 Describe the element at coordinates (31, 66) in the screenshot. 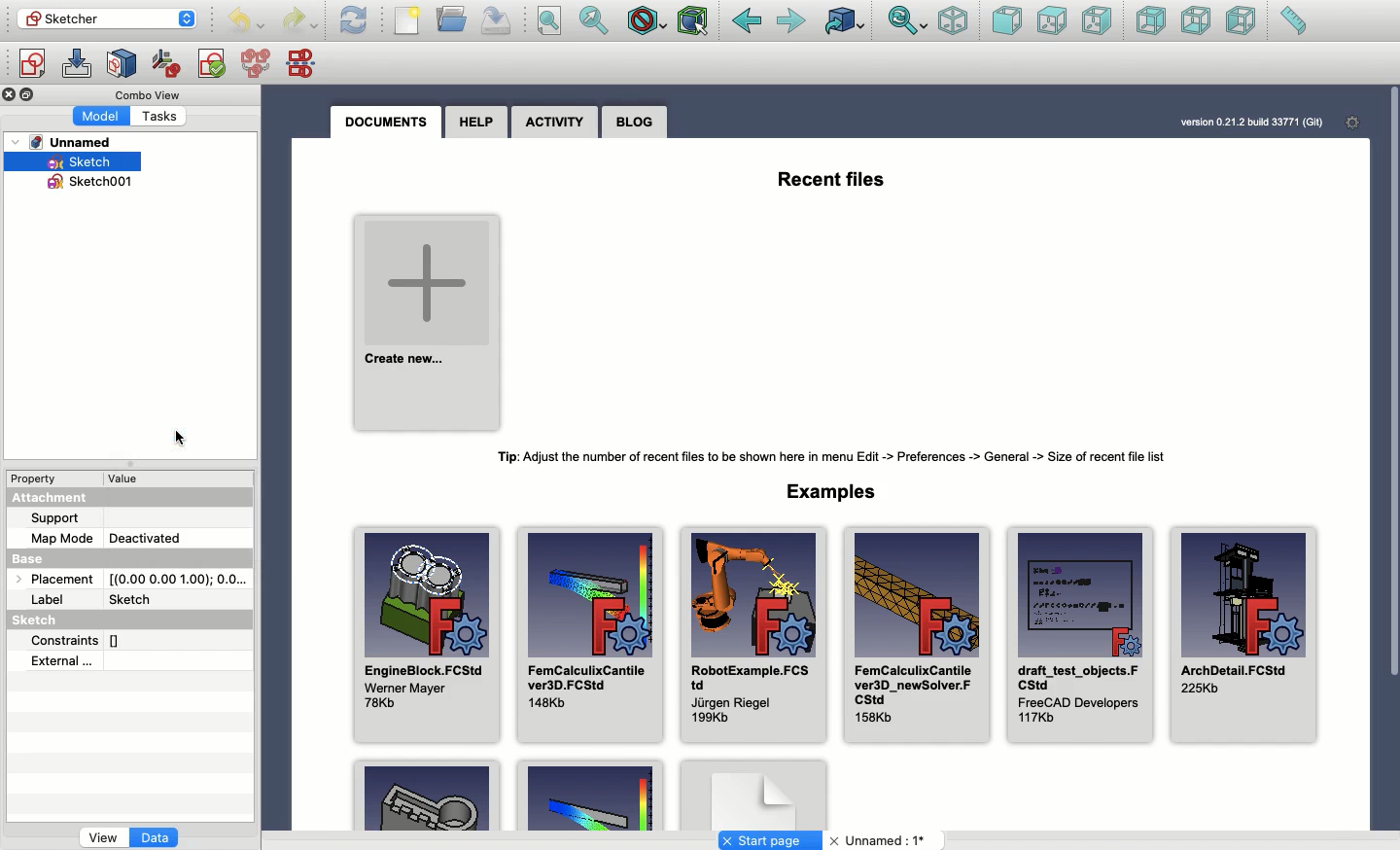

I see `Create sketch ` at that location.